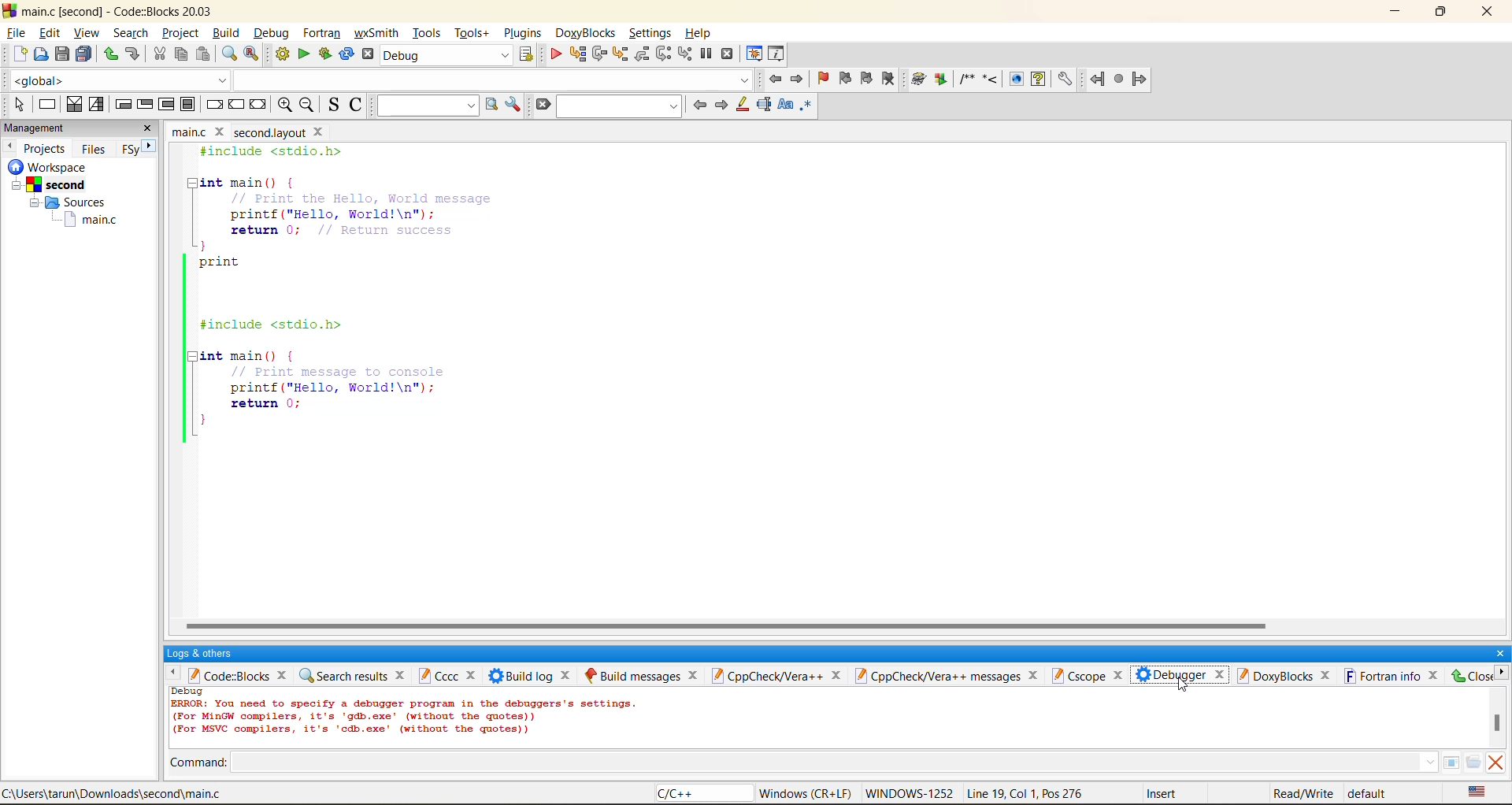 The height and width of the screenshot is (805, 1512). What do you see at coordinates (305, 55) in the screenshot?
I see `run` at bounding box center [305, 55].